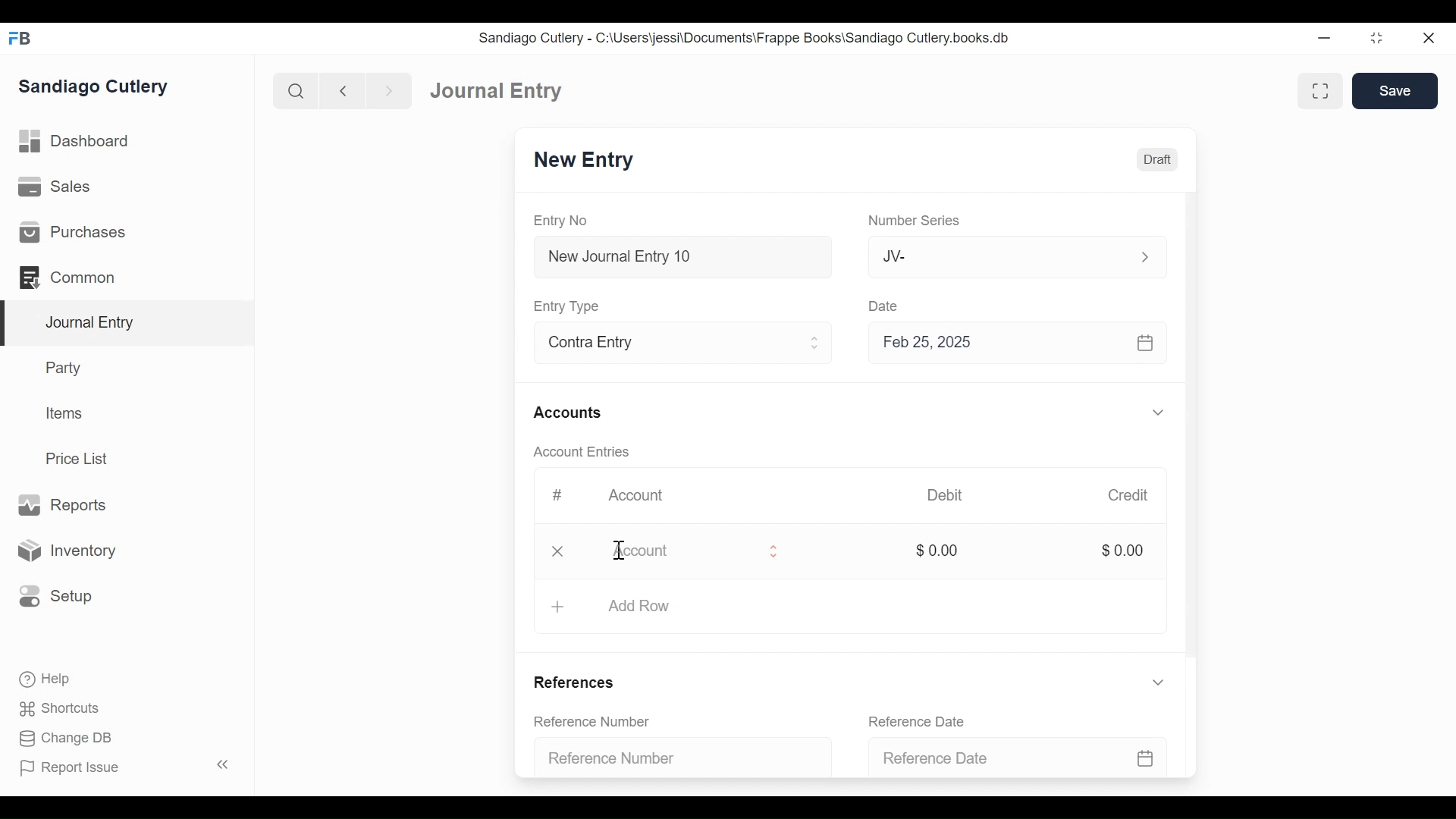 This screenshot has width=1456, height=819. What do you see at coordinates (344, 91) in the screenshot?
I see `Navigate Back` at bounding box center [344, 91].